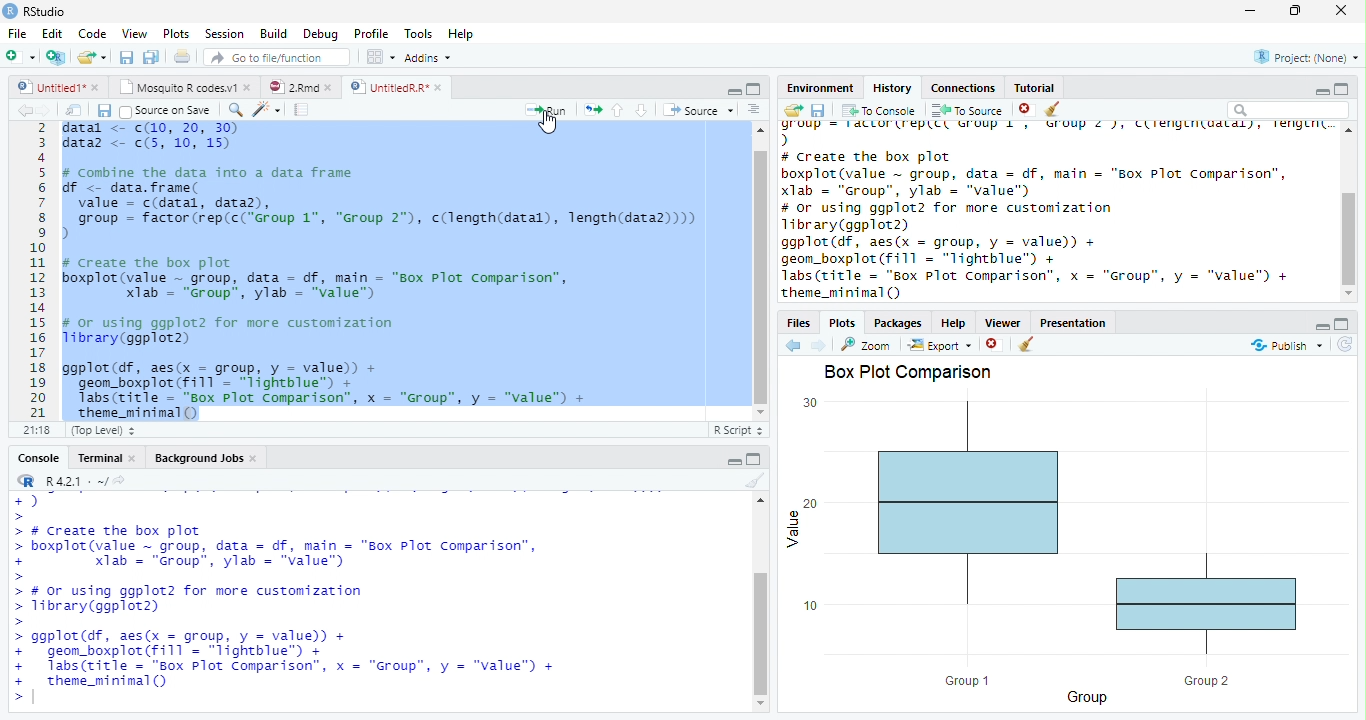 This screenshot has width=1366, height=720. I want to click on Help, so click(954, 322).